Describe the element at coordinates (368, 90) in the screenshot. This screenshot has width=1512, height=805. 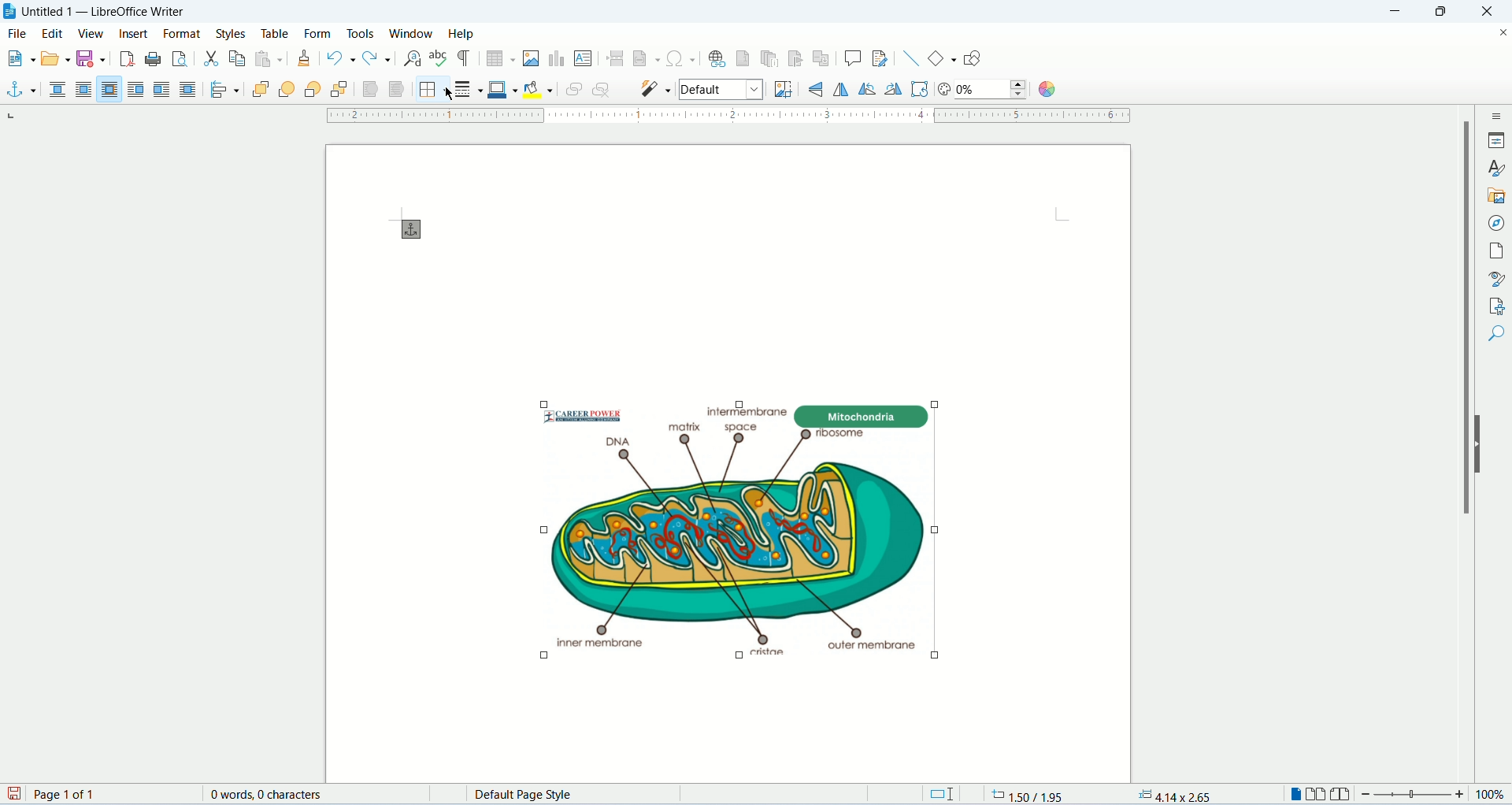
I see `to foreground` at that location.